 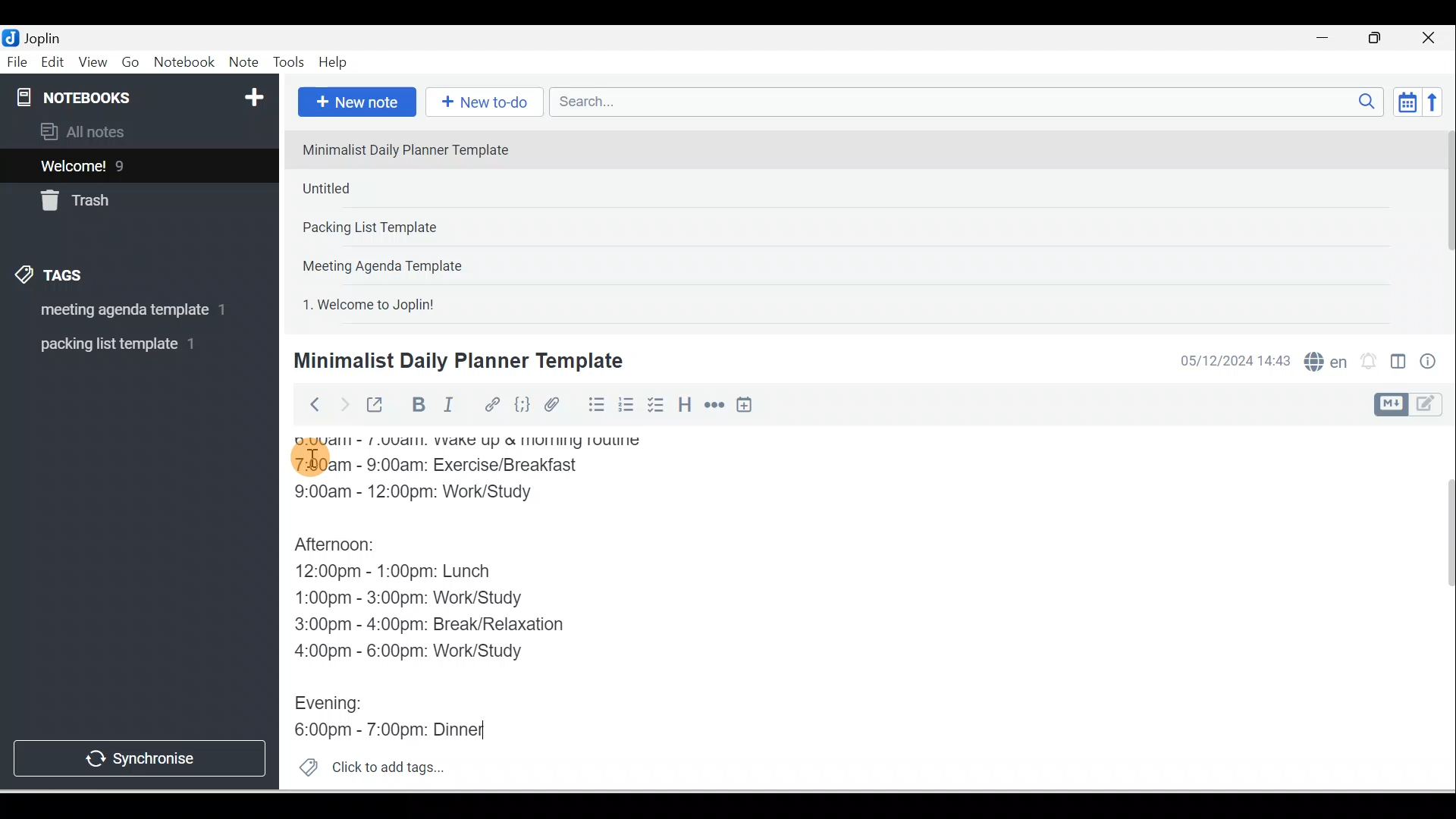 I want to click on 9:00am - 12:00pm: Work/Study, so click(x=430, y=494).